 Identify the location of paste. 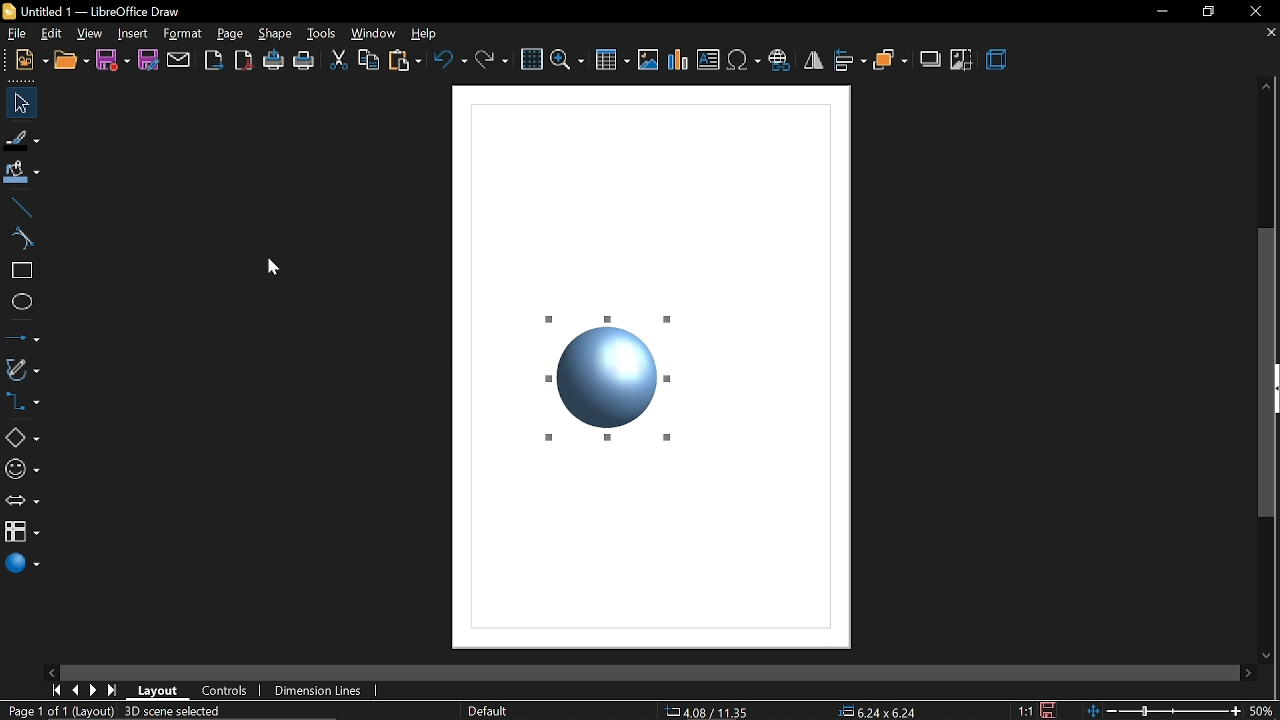
(405, 61).